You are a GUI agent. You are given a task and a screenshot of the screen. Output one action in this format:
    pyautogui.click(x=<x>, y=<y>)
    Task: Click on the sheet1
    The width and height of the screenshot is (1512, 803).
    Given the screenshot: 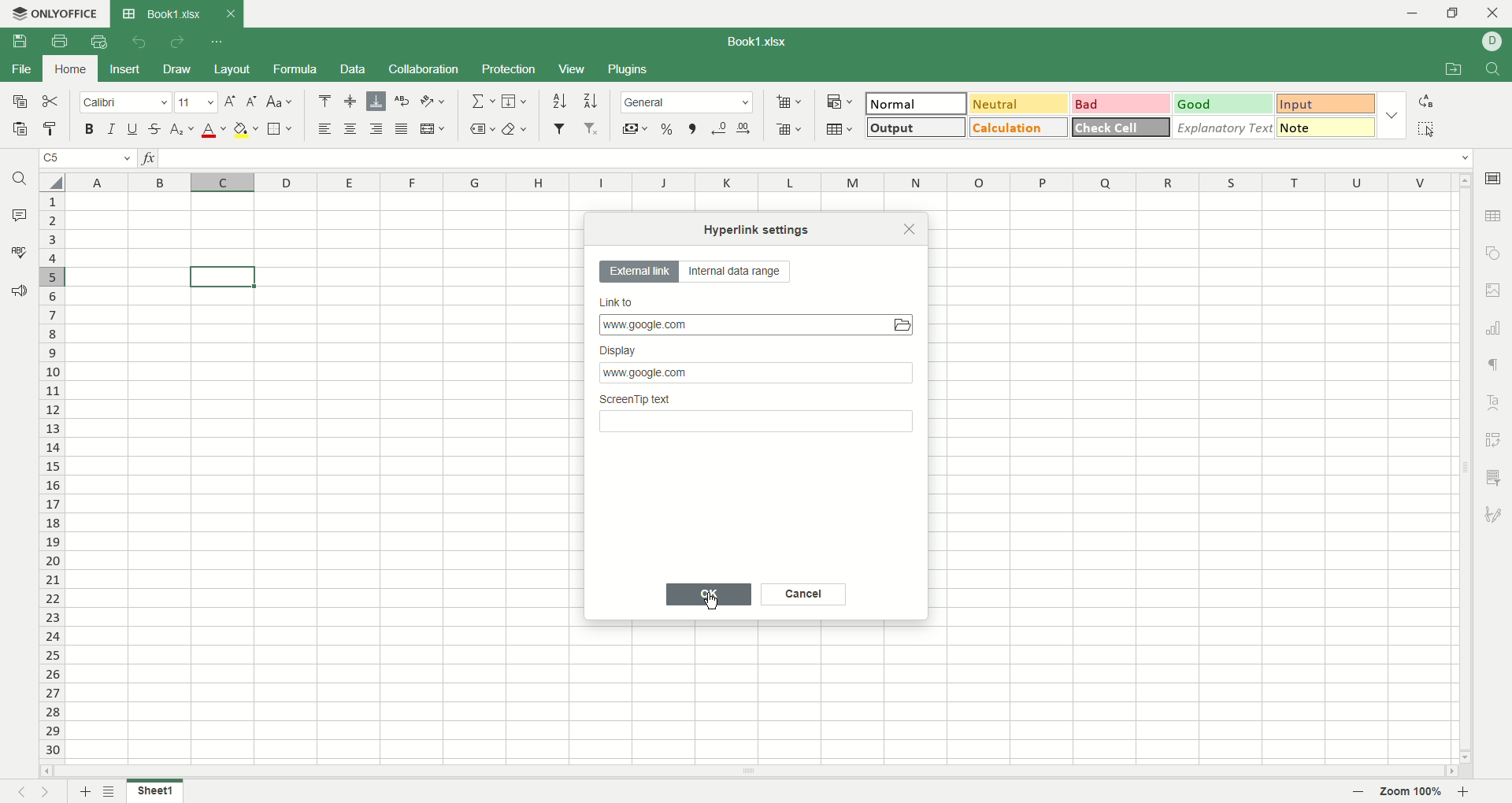 What is the action you would take?
    pyautogui.click(x=157, y=793)
    